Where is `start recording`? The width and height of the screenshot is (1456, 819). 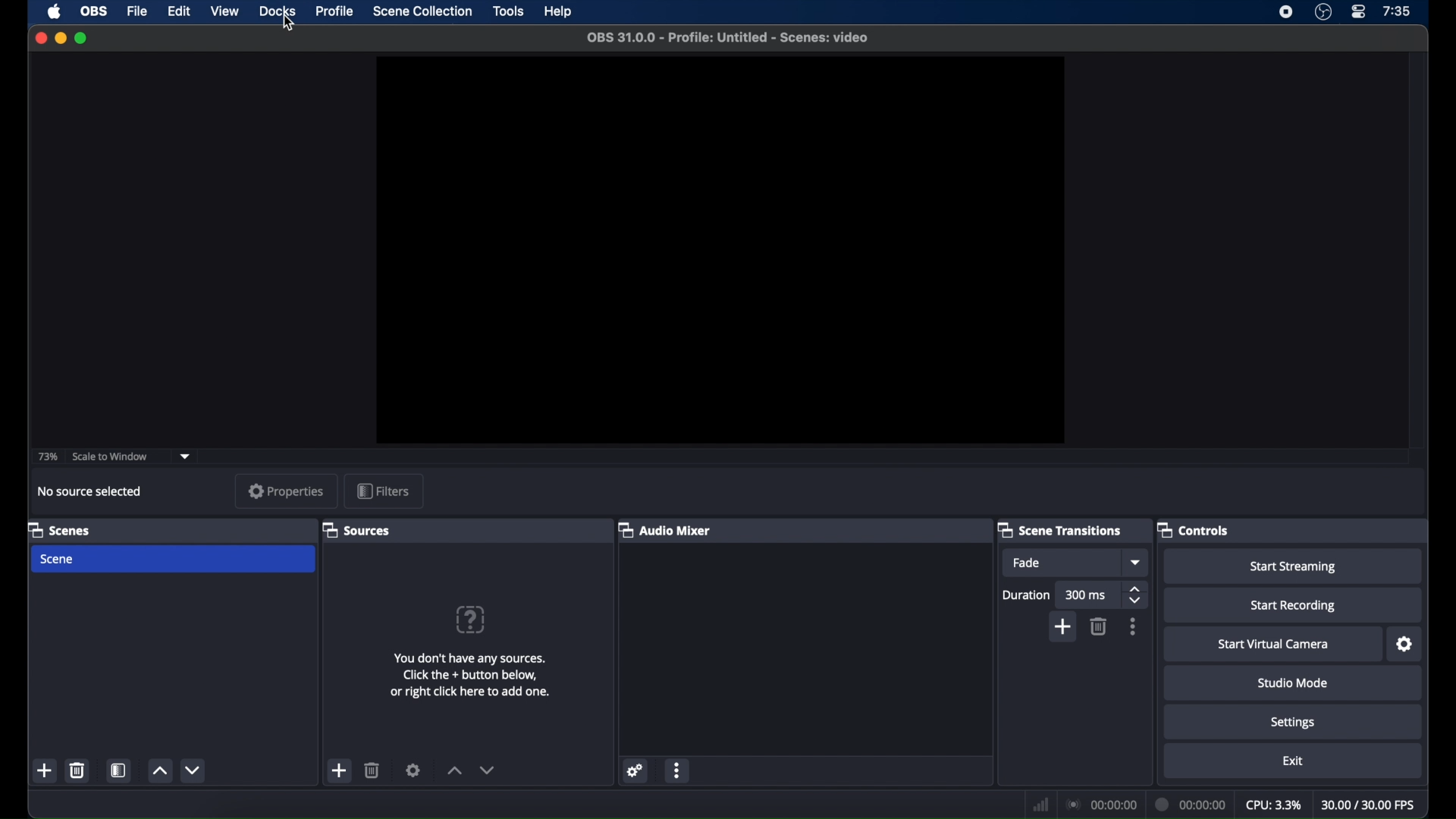
start recording is located at coordinates (1292, 605).